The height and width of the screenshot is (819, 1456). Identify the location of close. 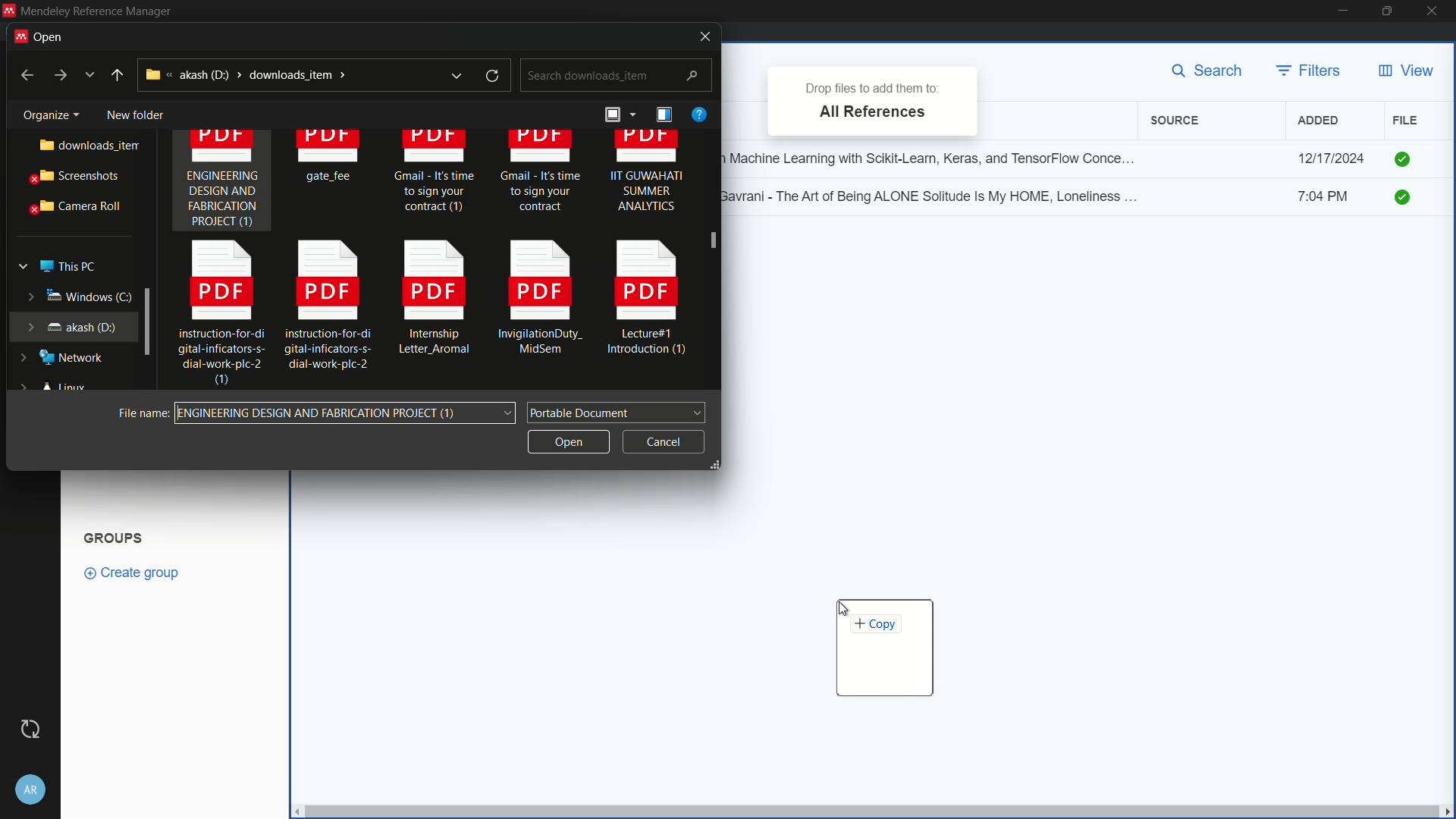
(1436, 11).